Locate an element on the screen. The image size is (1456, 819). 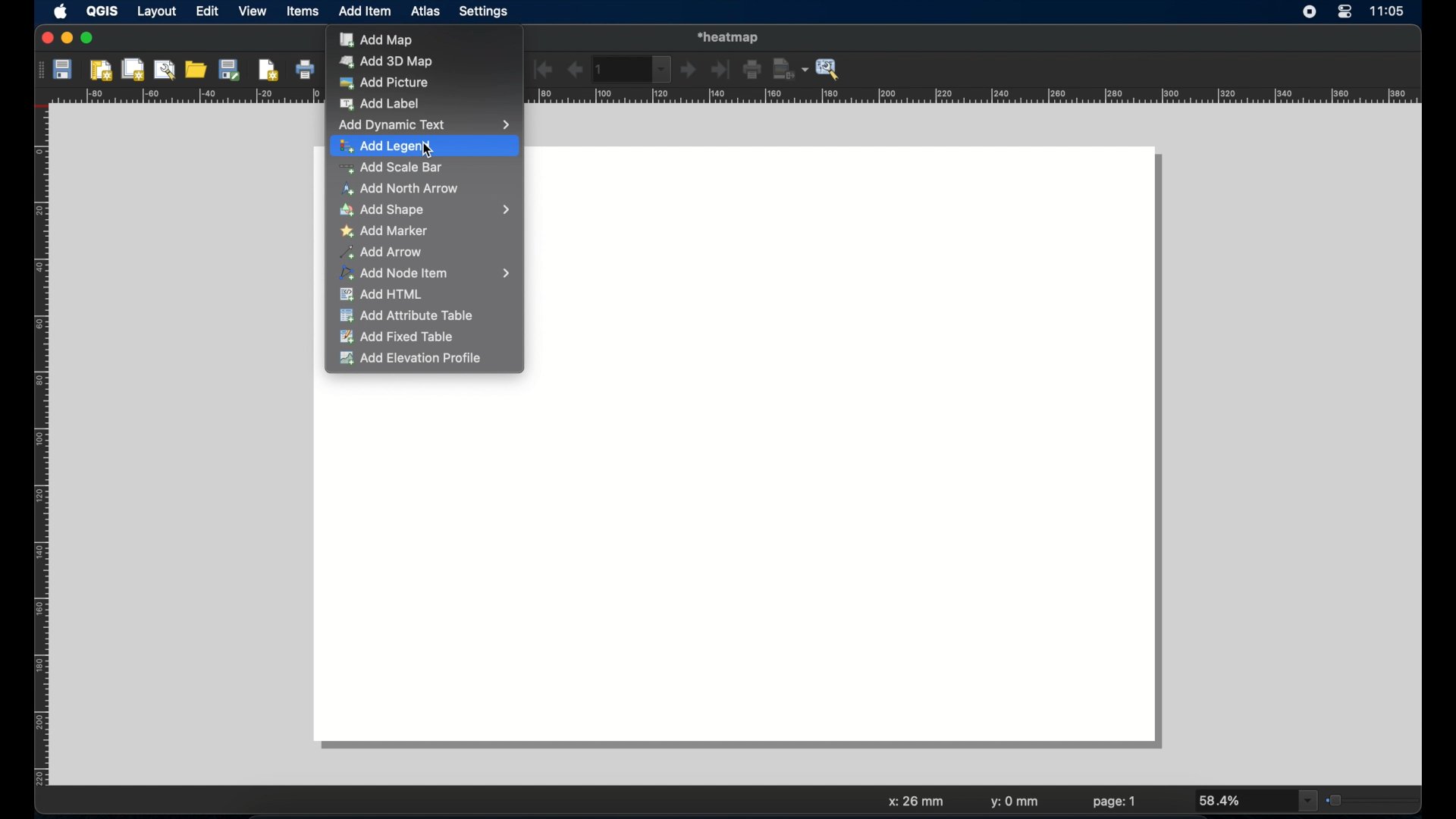
add label is located at coordinates (388, 105).